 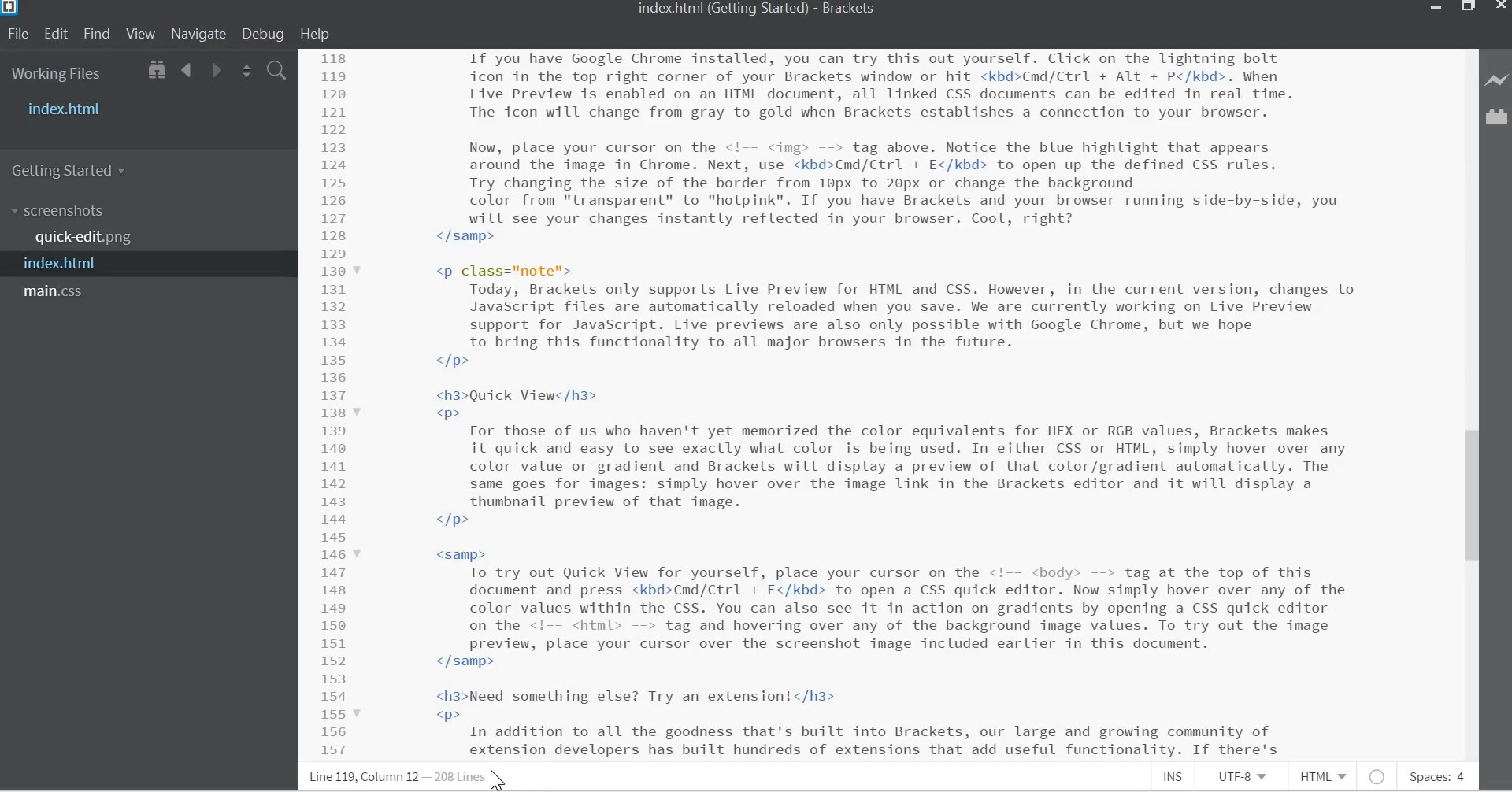 I want to click on Live Preview, so click(x=1496, y=80).